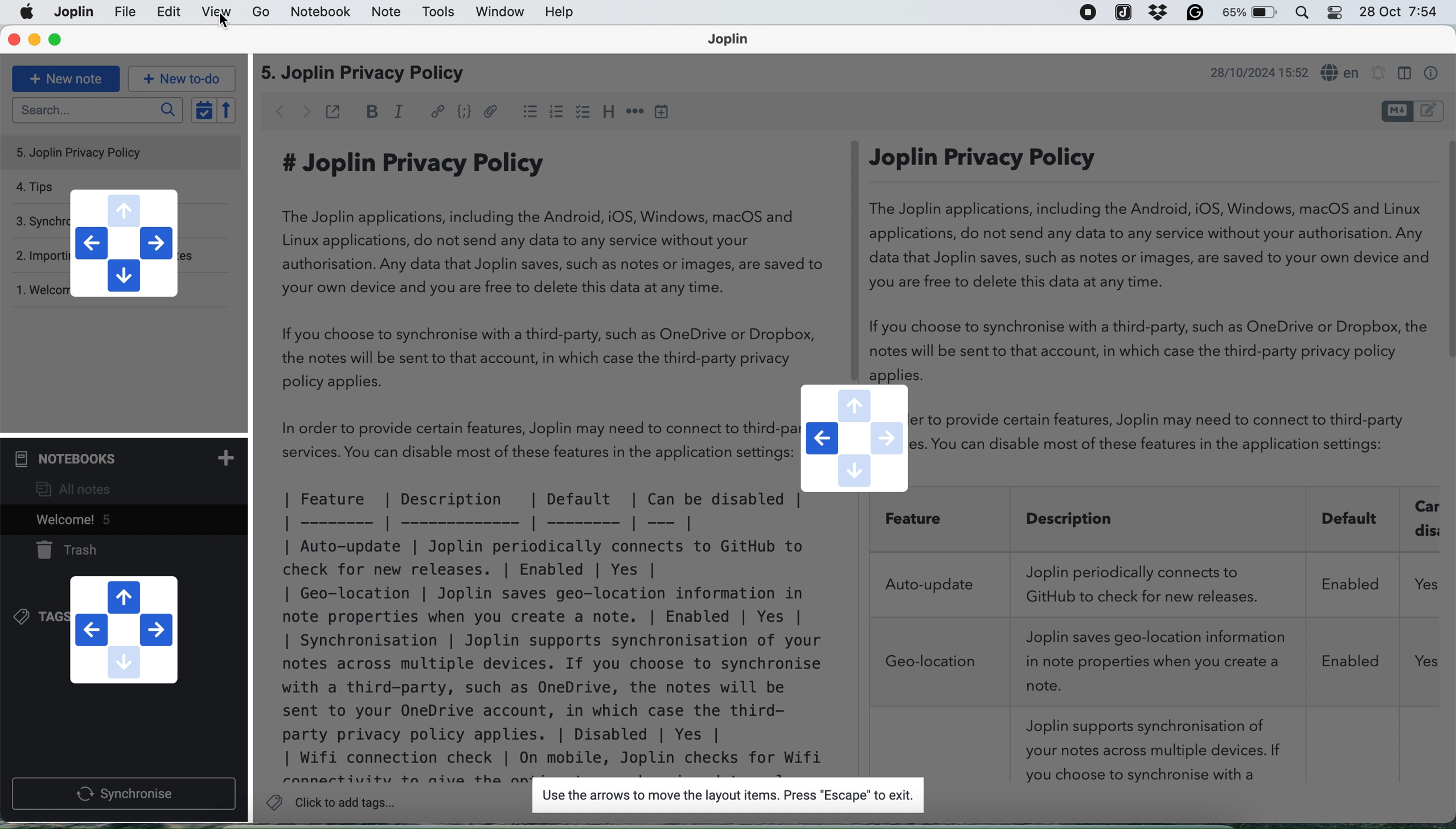 This screenshot has width=1456, height=829. Describe the element at coordinates (1398, 13) in the screenshot. I see `28 Oct 7:54` at that location.